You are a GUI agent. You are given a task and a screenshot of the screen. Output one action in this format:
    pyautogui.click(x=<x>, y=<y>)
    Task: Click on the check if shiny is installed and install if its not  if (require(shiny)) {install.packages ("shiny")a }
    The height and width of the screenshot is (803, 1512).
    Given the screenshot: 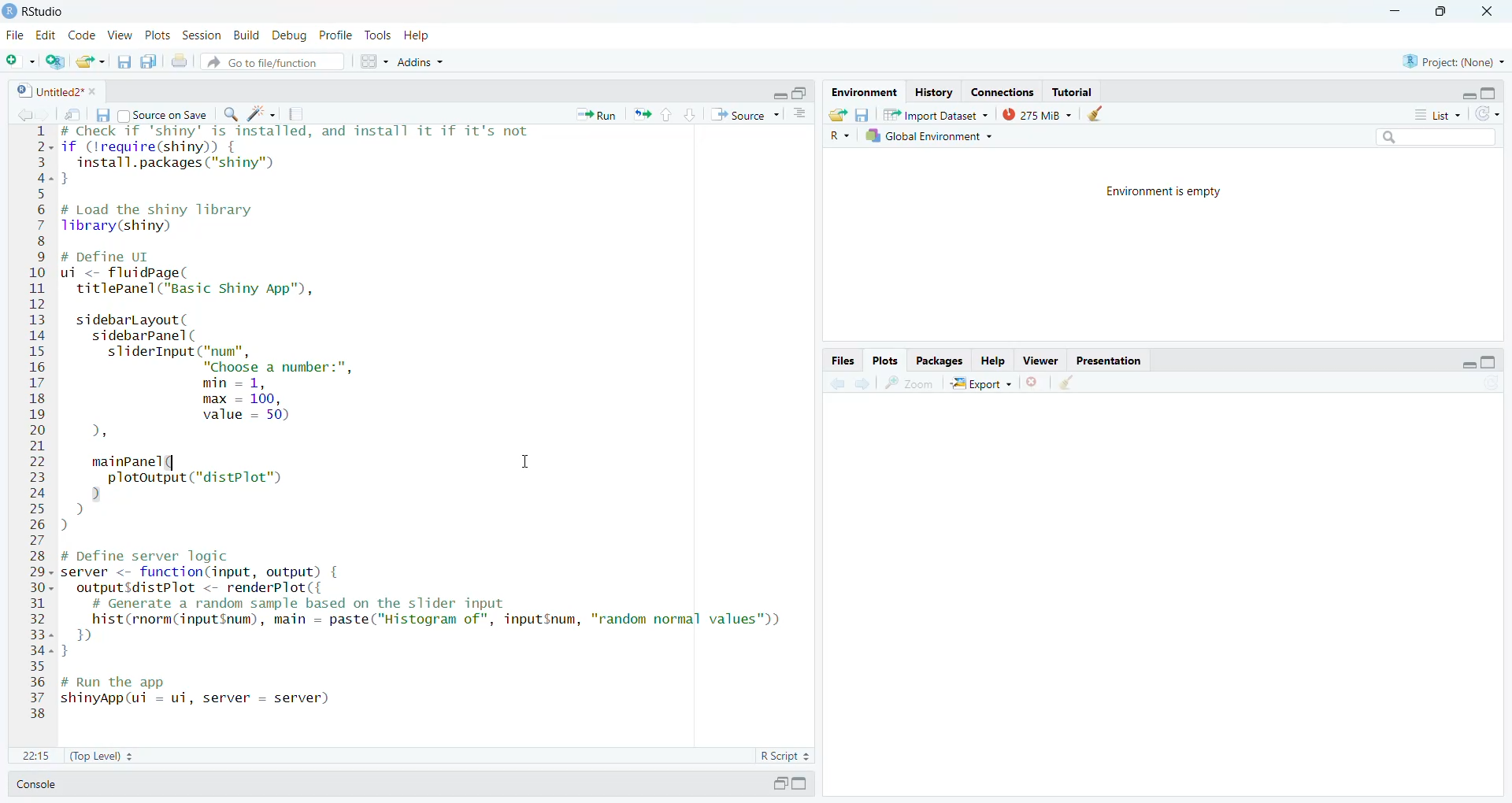 What is the action you would take?
    pyautogui.click(x=295, y=155)
    